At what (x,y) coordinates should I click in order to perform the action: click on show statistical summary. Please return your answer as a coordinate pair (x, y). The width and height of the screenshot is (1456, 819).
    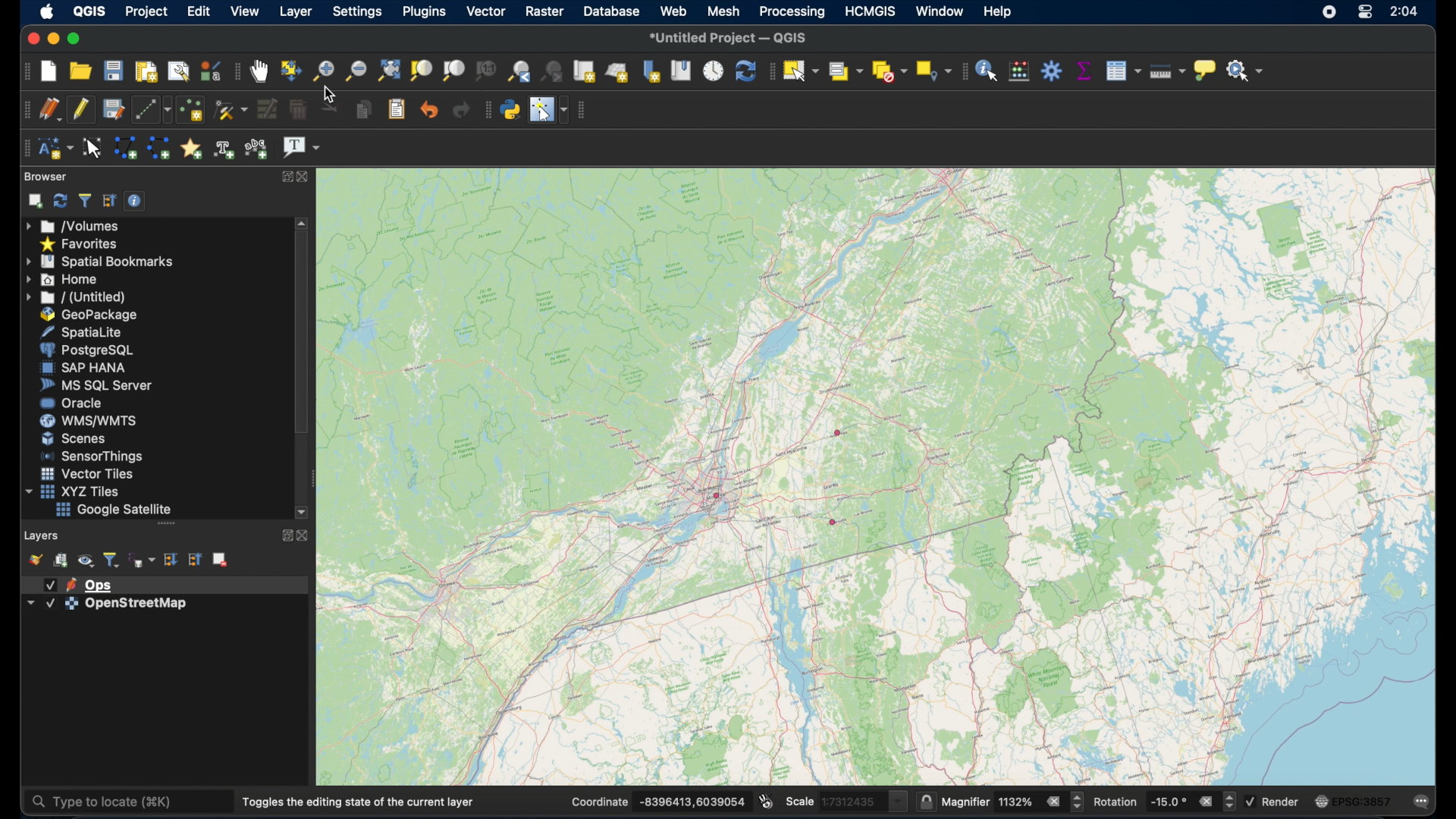
    Looking at the image, I should click on (1084, 70).